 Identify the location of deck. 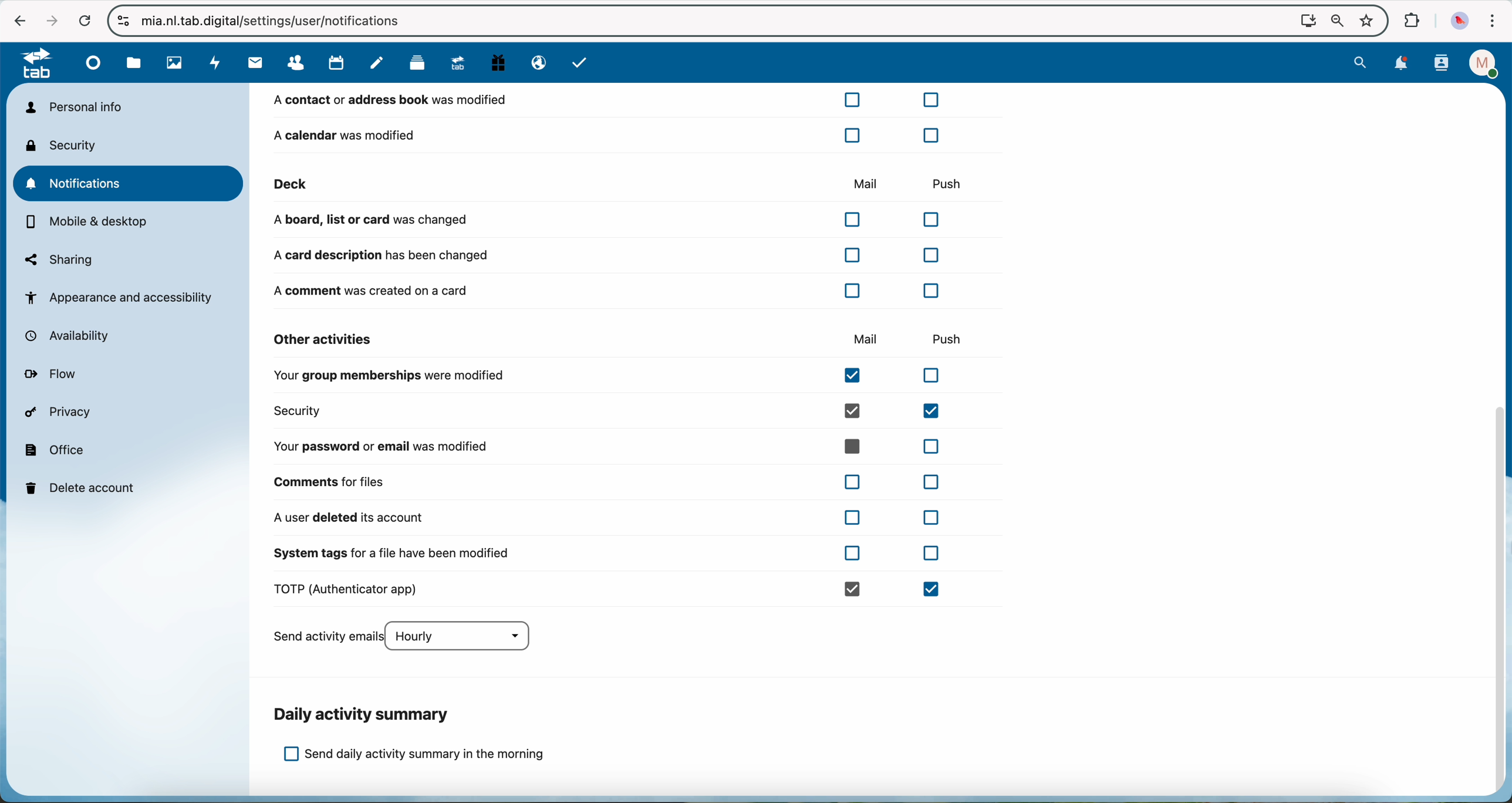
(478, 184).